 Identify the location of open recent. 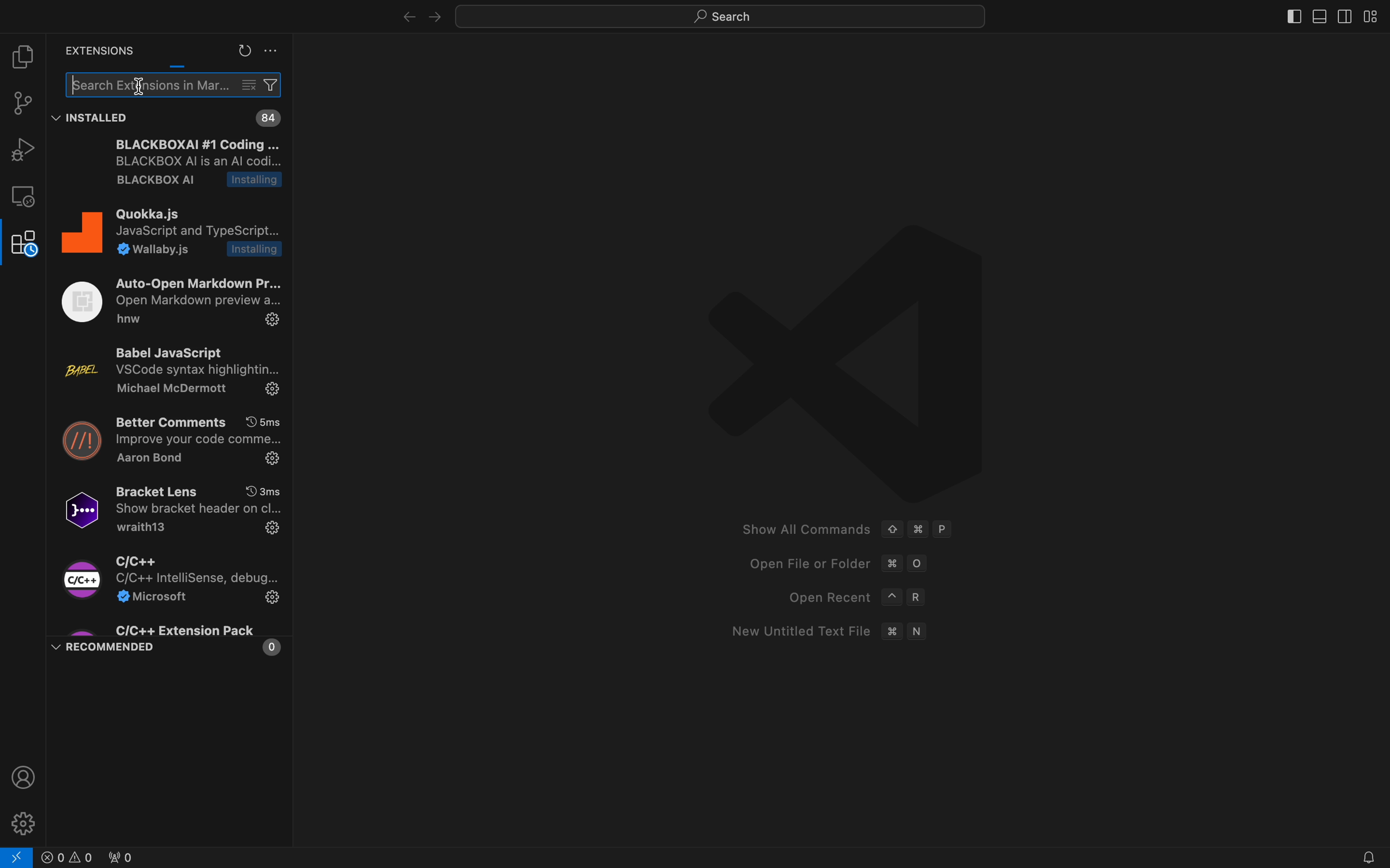
(850, 598).